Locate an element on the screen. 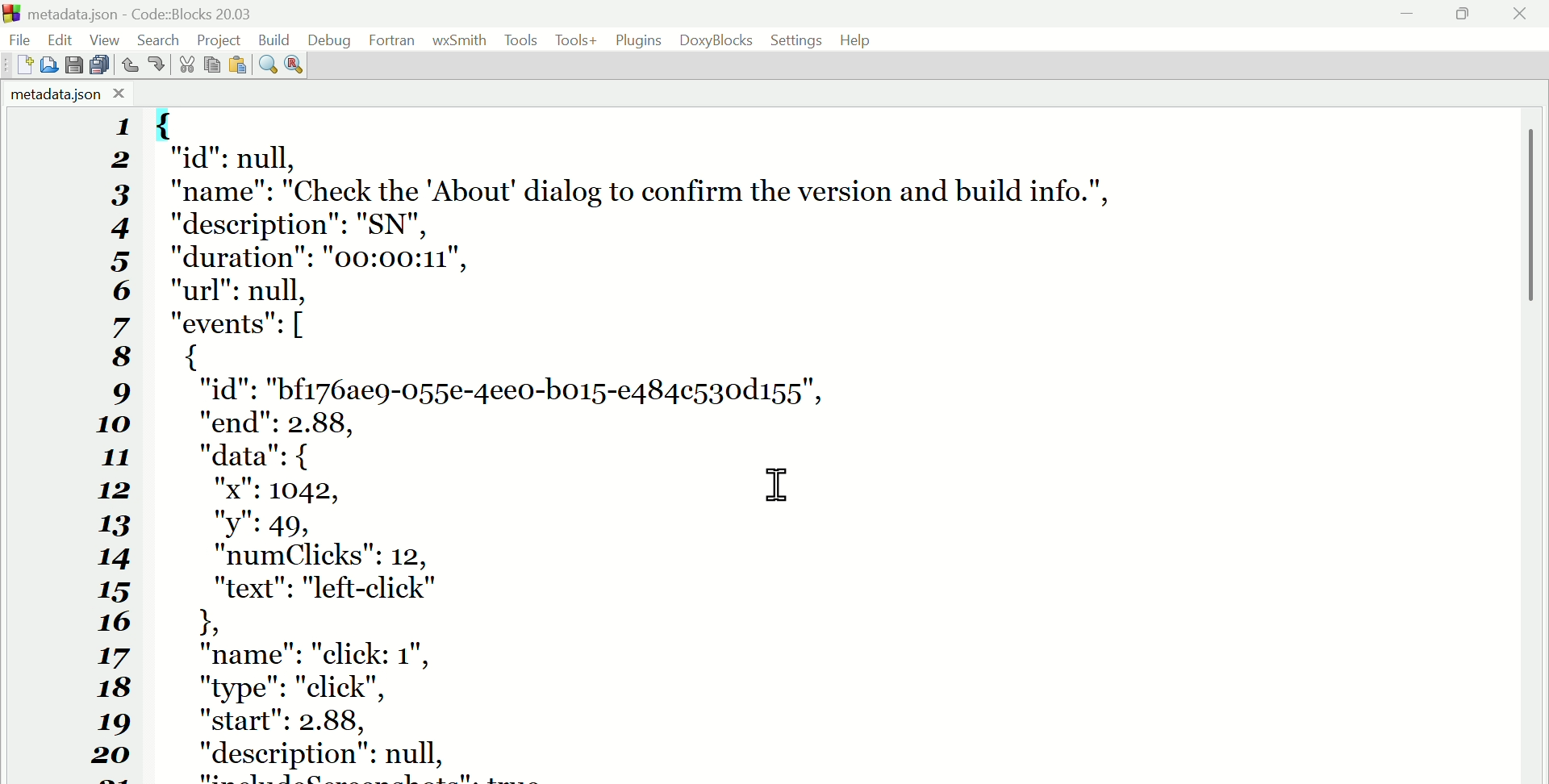 The width and height of the screenshot is (1549, 784). Search is located at coordinates (164, 38).